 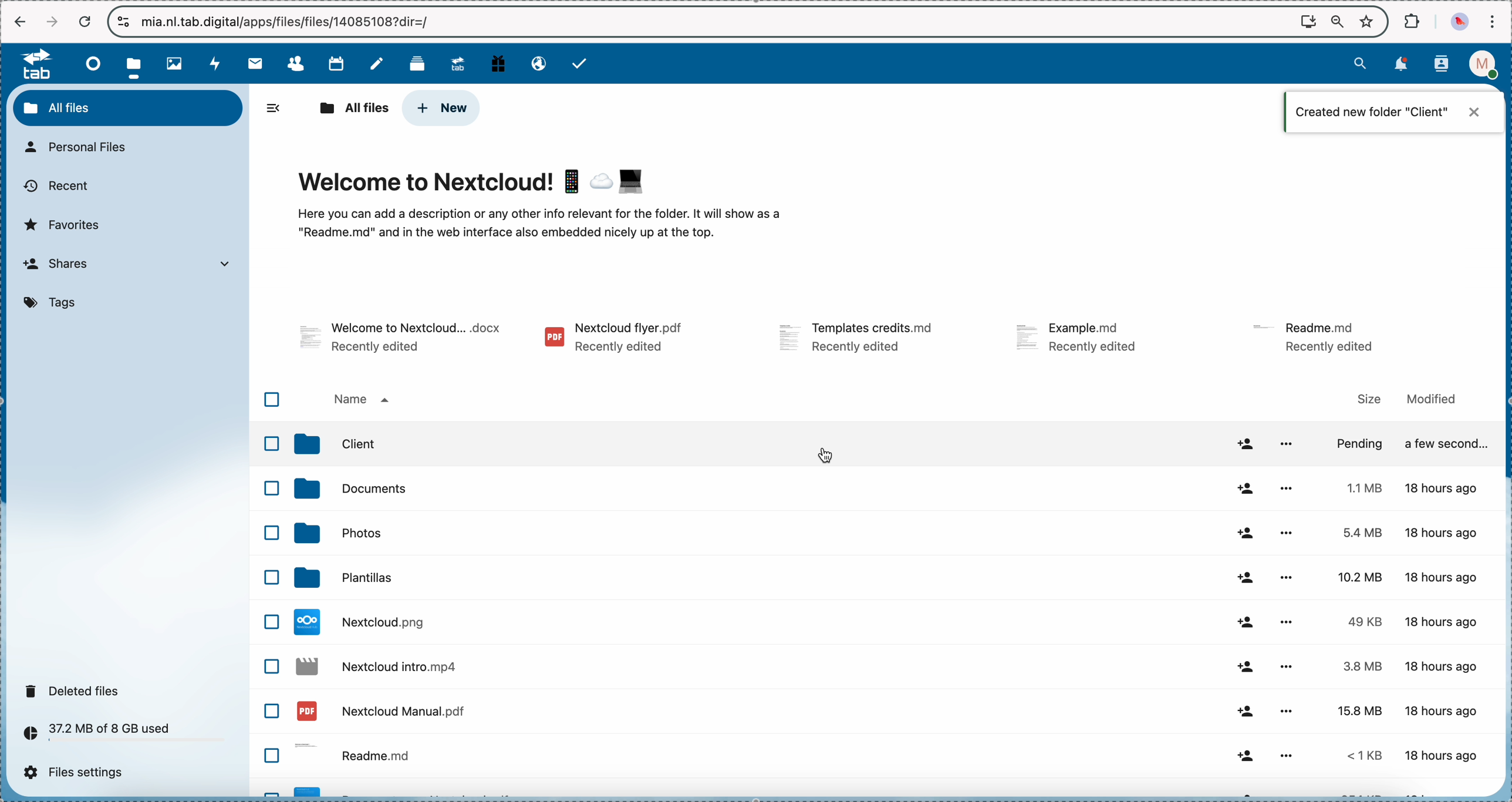 I want to click on dashboard, so click(x=90, y=63).